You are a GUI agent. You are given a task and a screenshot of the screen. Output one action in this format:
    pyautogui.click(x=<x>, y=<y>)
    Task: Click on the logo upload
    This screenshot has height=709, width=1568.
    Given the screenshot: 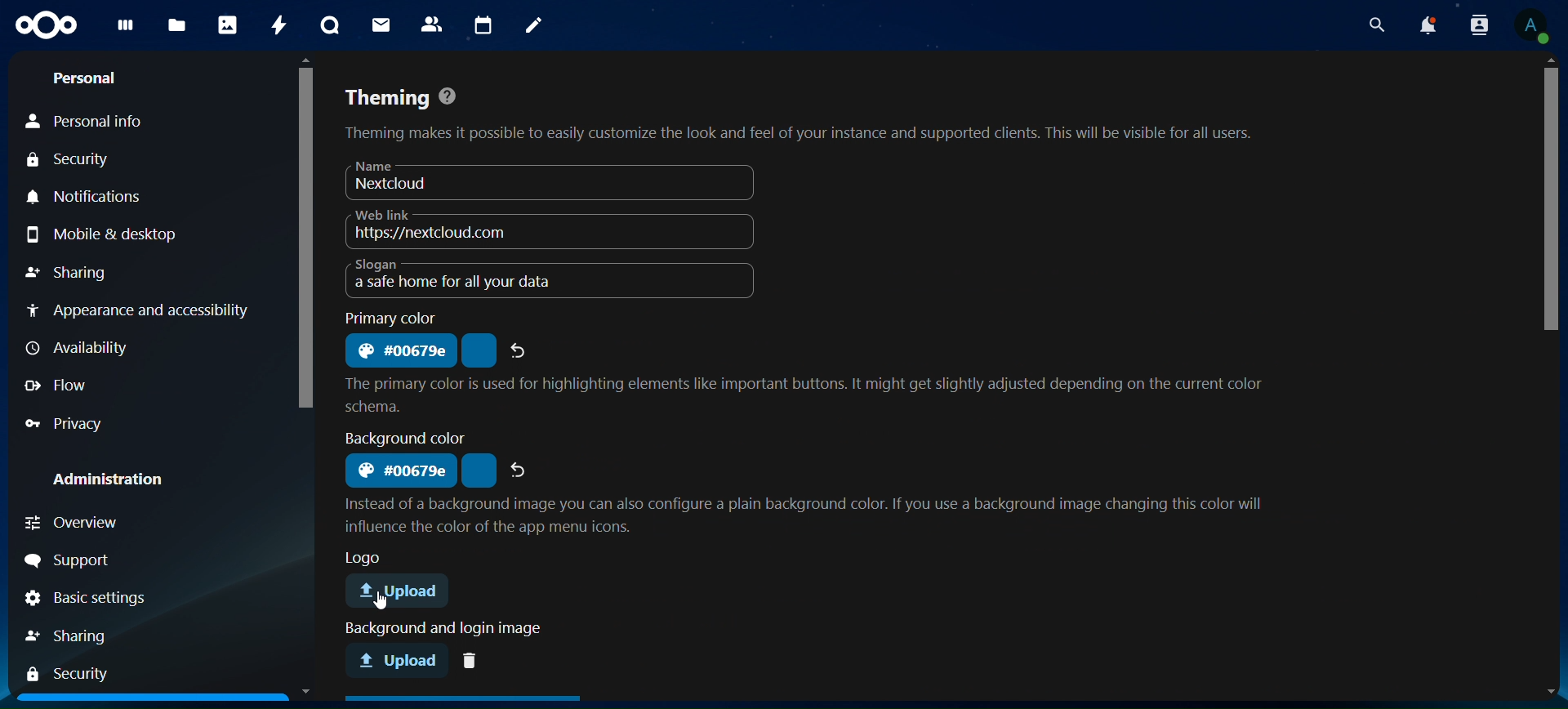 What is the action you would take?
    pyautogui.click(x=403, y=592)
    